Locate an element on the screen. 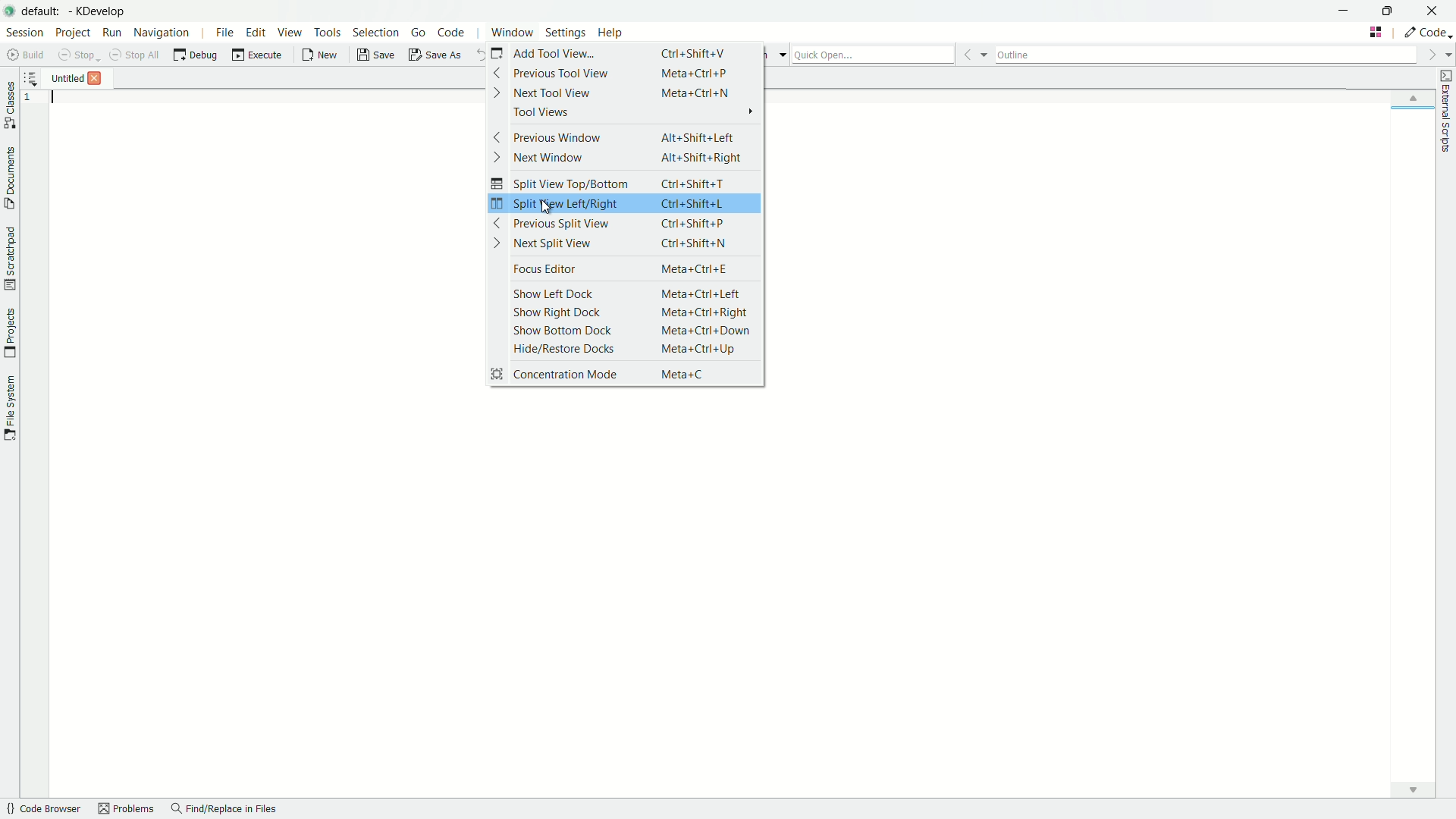 This screenshot has width=1456, height=819. next tool view is located at coordinates (565, 92).